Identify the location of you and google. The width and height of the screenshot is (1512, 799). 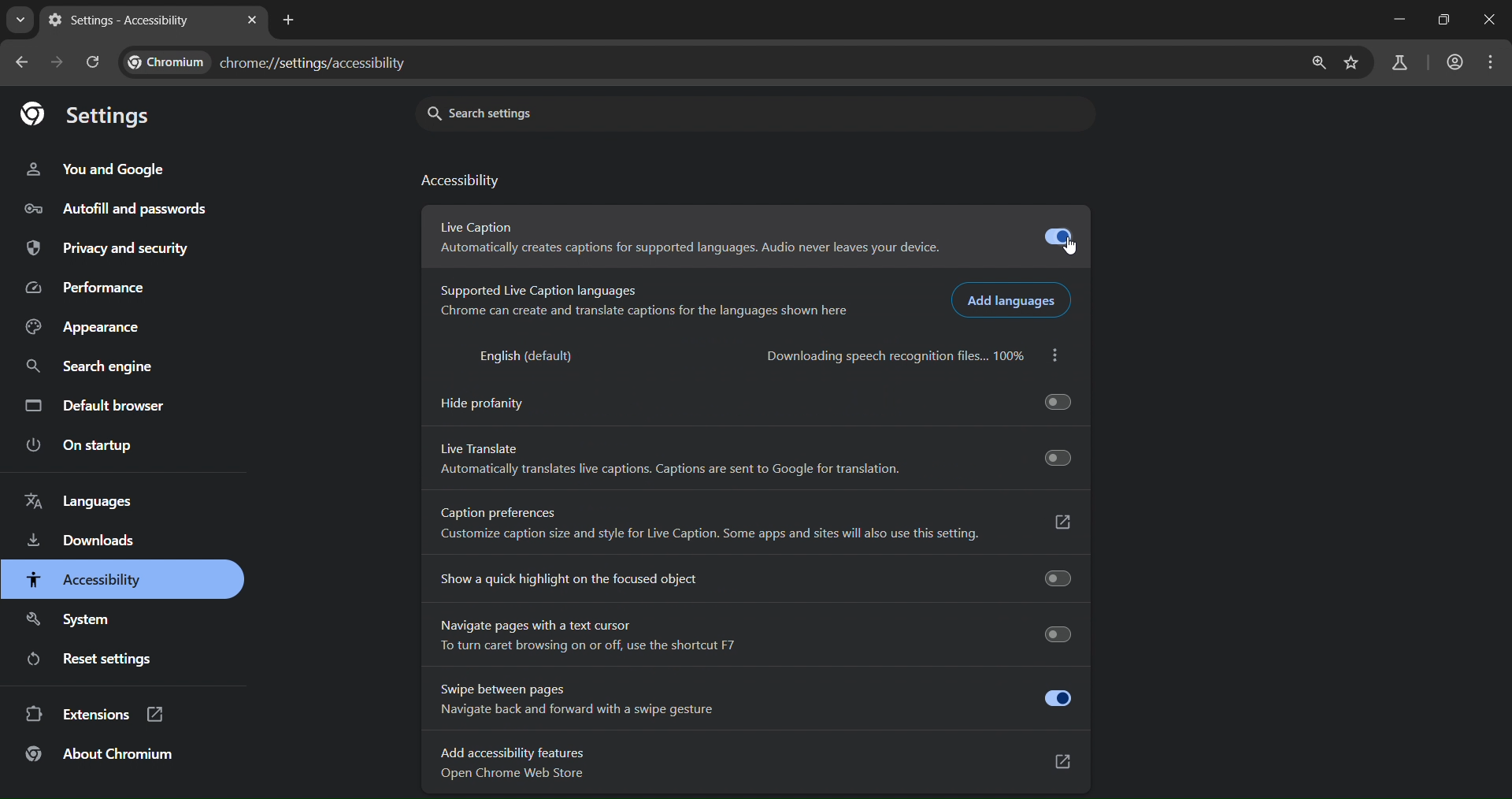
(96, 167).